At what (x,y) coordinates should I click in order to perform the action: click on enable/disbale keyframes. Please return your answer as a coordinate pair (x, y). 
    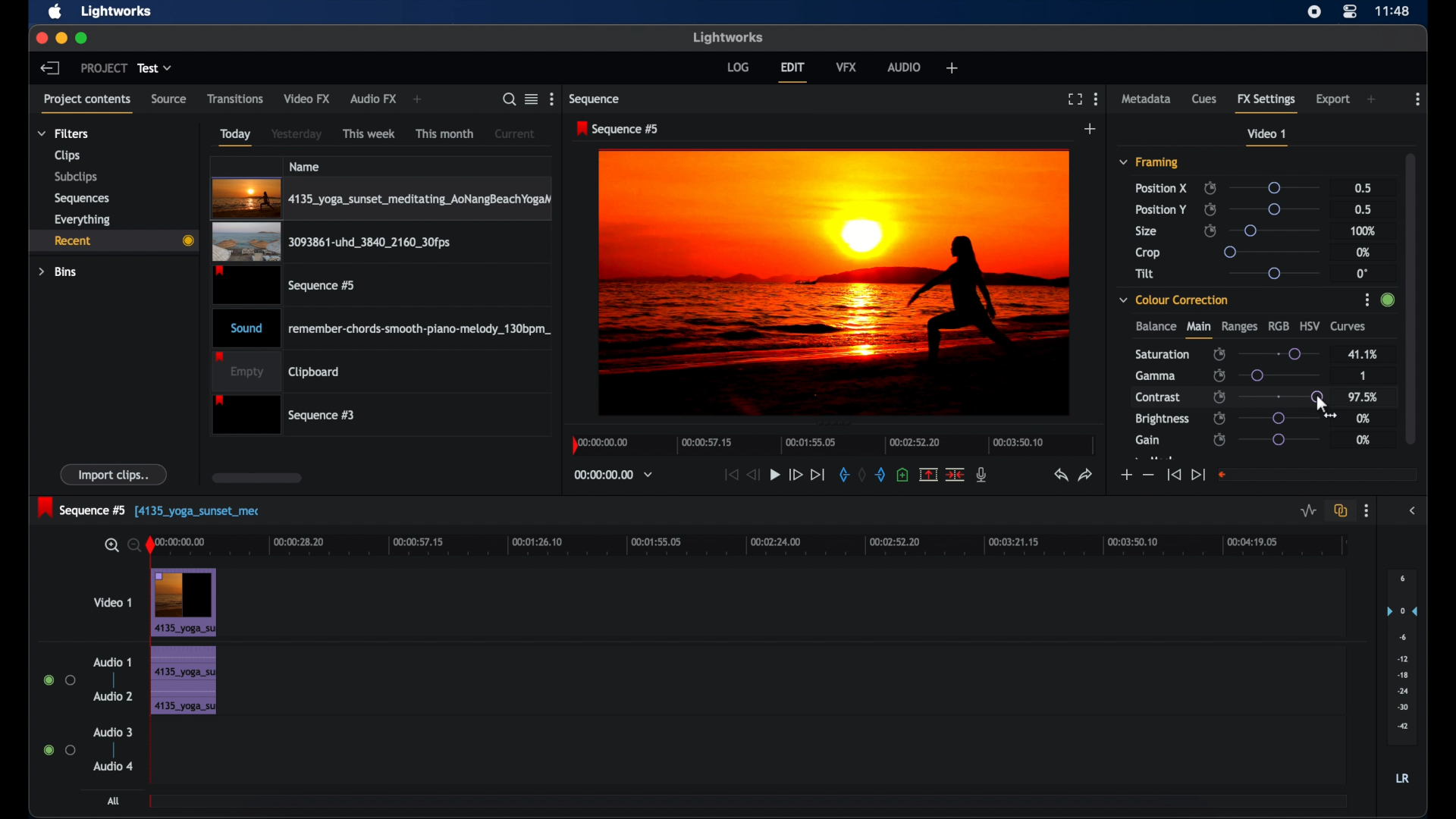
    Looking at the image, I should click on (1220, 353).